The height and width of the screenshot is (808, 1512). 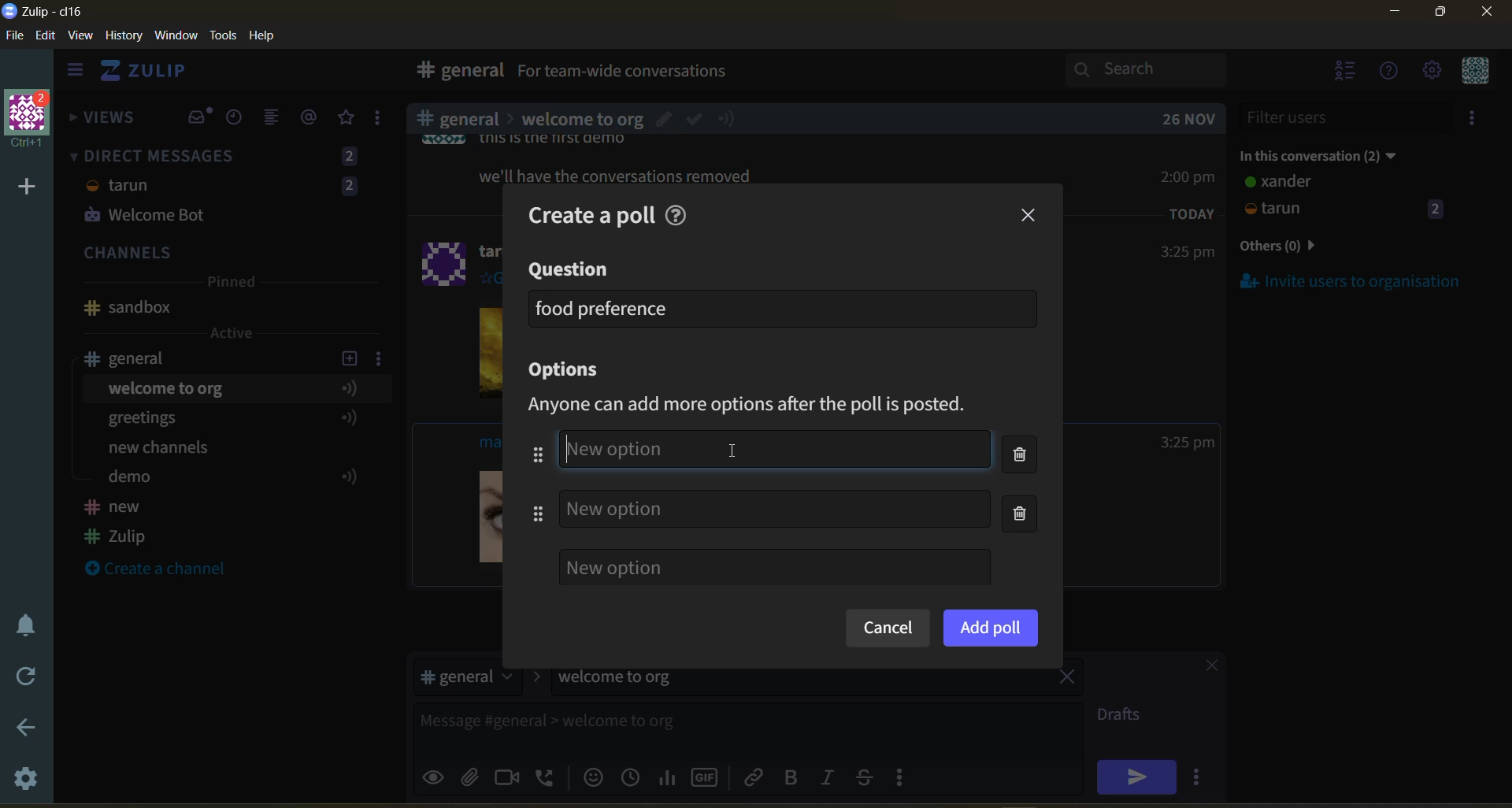 What do you see at coordinates (1186, 253) in the screenshot?
I see `3:25 pm` at bounding box center [1186, 253].